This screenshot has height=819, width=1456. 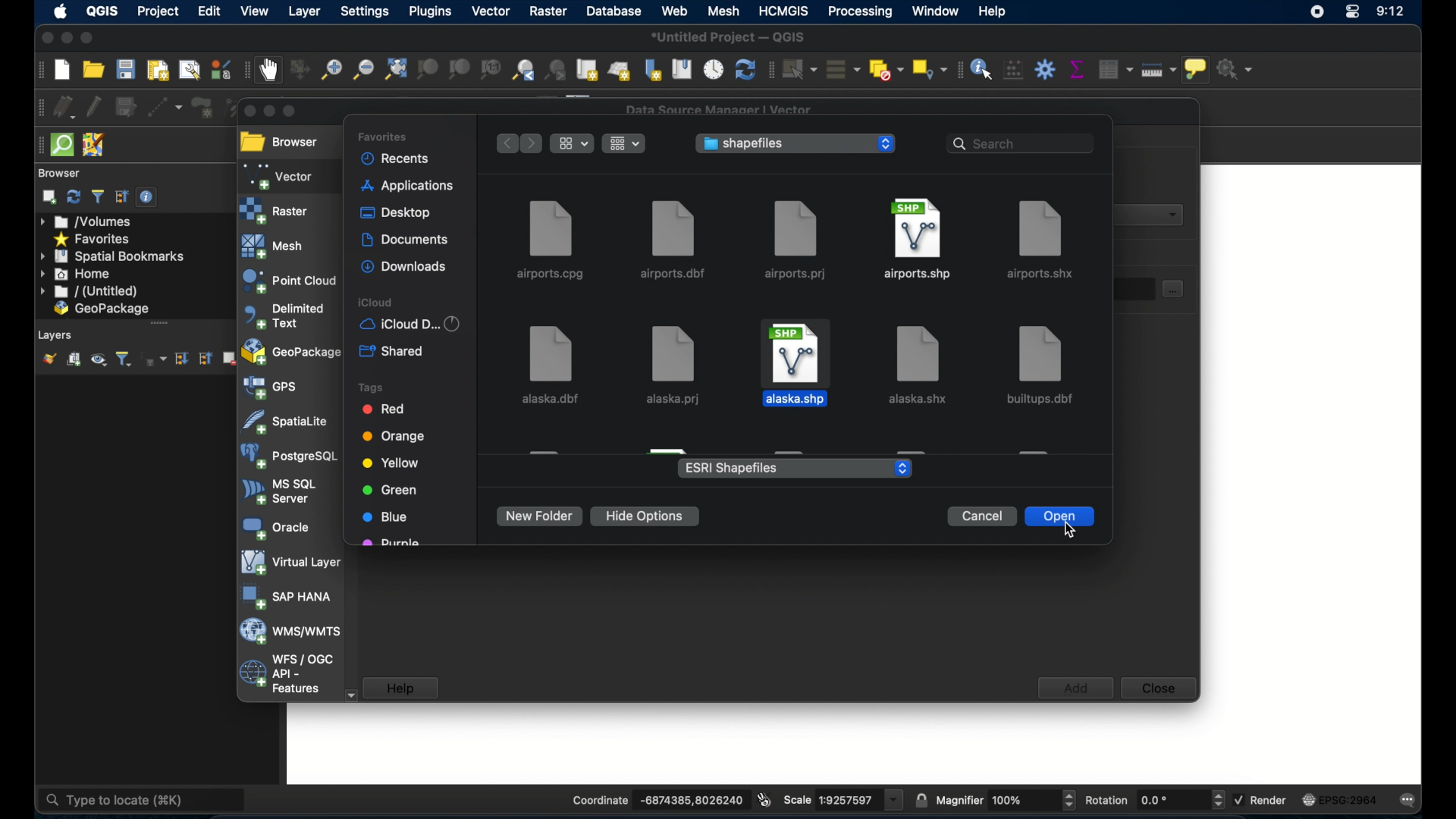 What do you see at coordinates (1007, 798) in the screenshot?
I see `magnifier` at bounding box center [1007, 798].